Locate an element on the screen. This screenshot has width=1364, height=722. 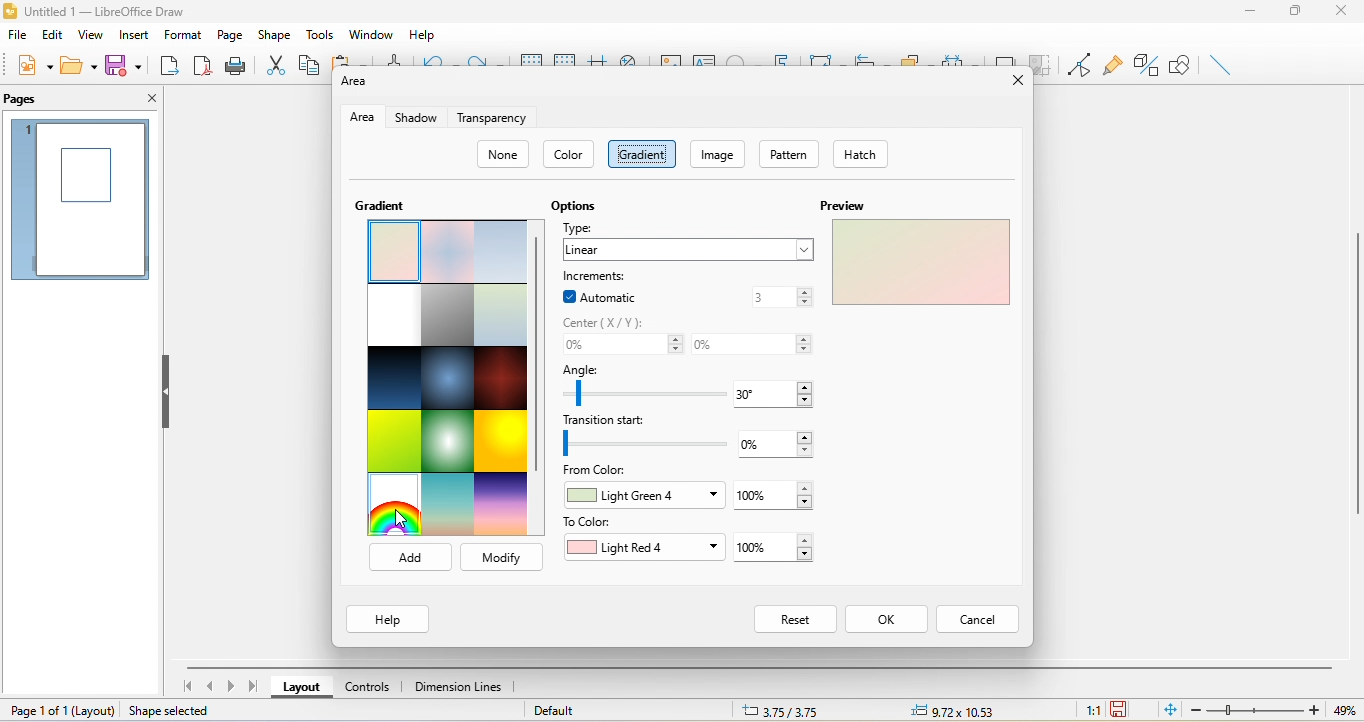
transition start is located at coordinates (645, 437).